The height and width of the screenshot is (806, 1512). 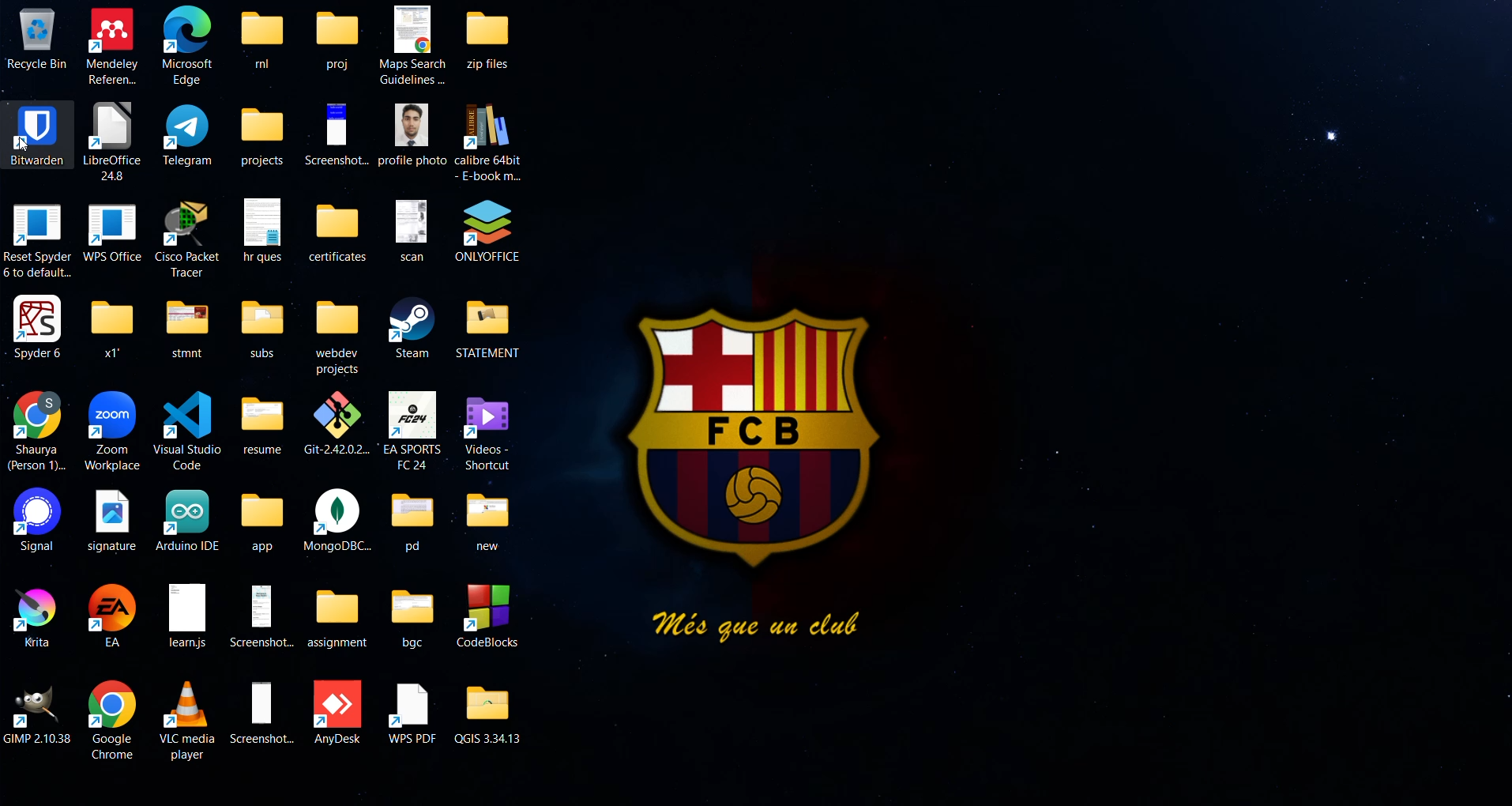 I want to click on Recycle Bin, so click(x=36, y=38).